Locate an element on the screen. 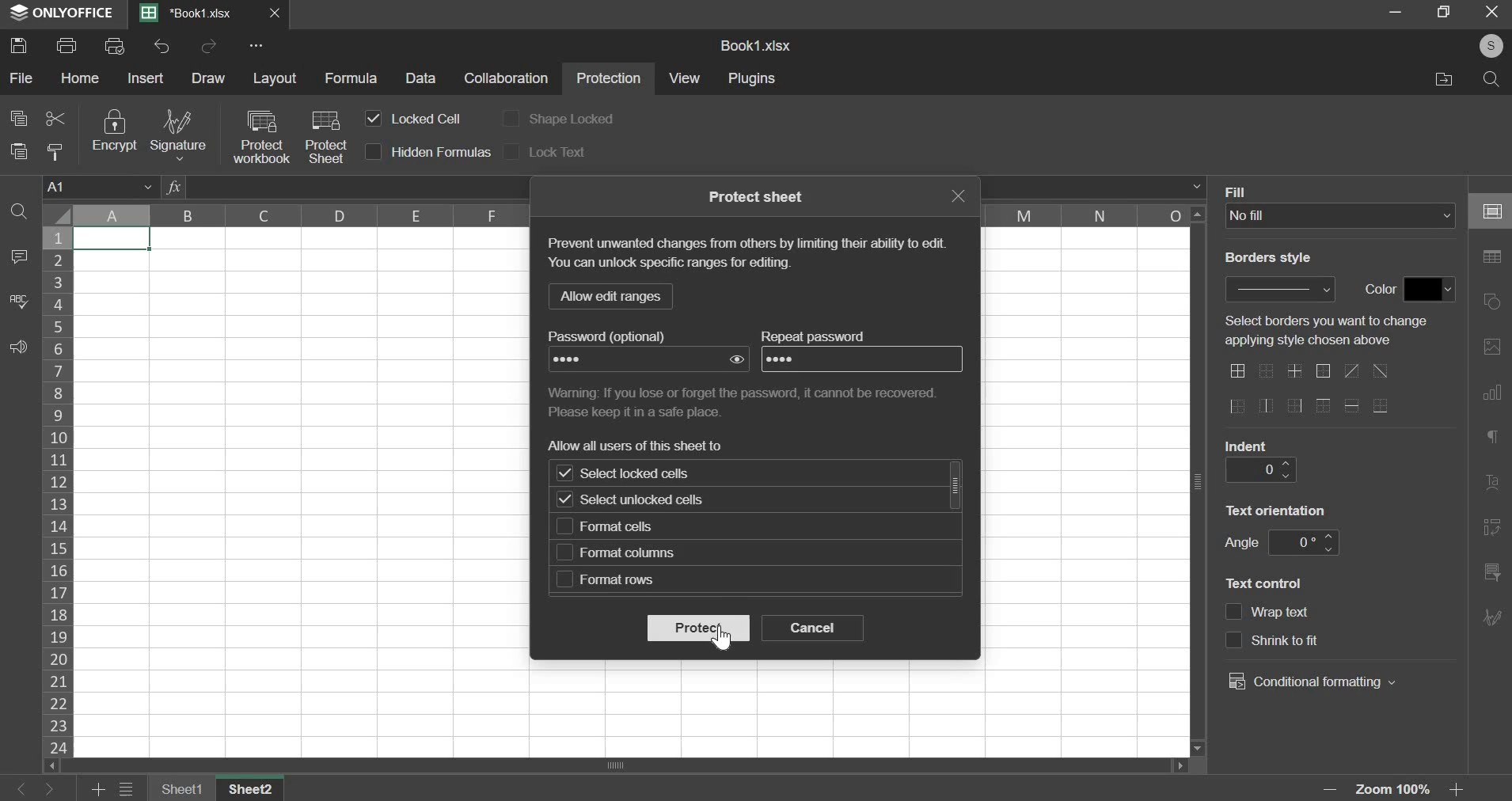 The height and width of the screenshot is (801, 1512). print preview is located at coordinates (113, 44).